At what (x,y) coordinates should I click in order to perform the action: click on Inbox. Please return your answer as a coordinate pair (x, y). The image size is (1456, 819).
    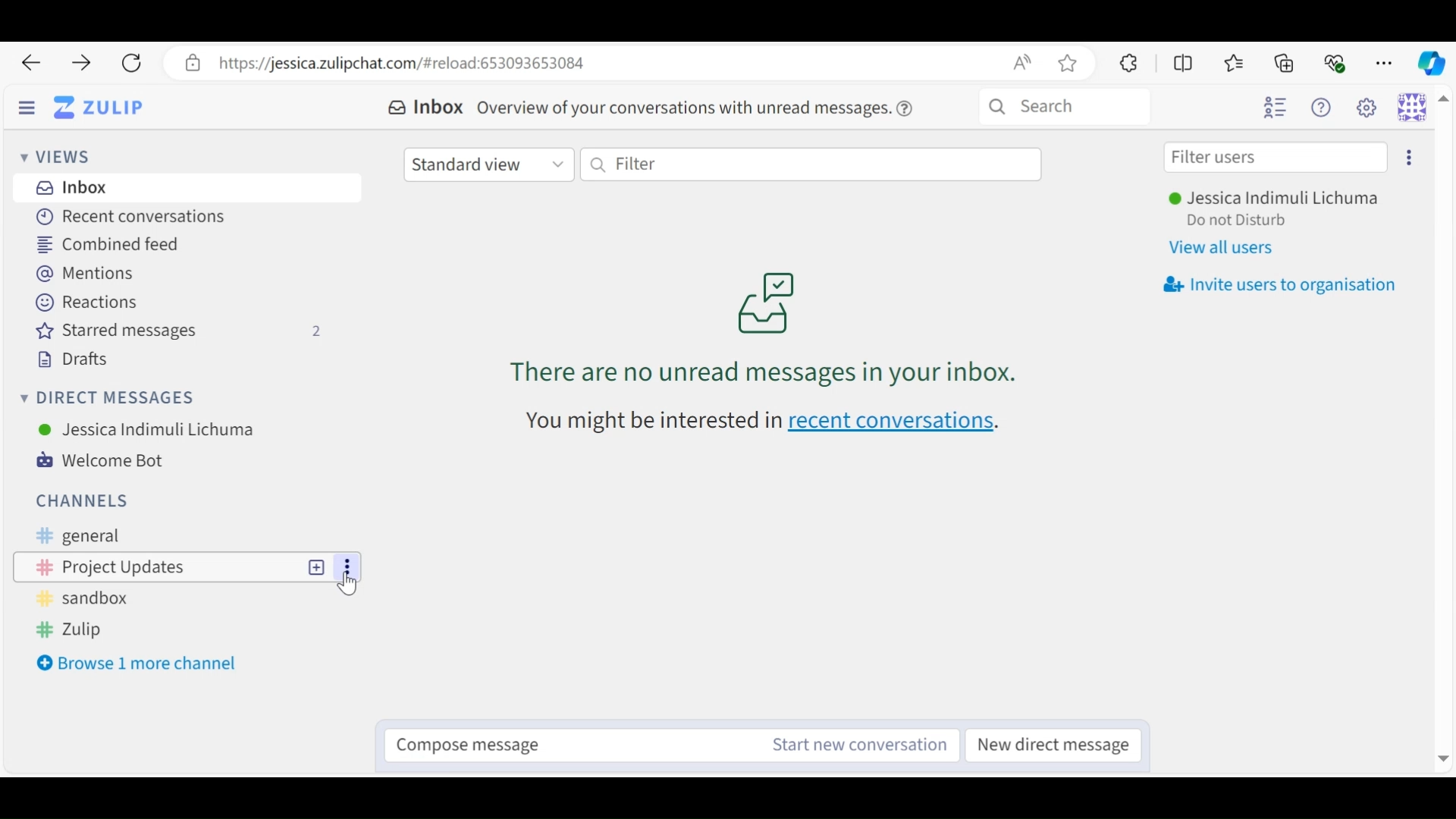
    Looking at the image, I should click on (71, 187).